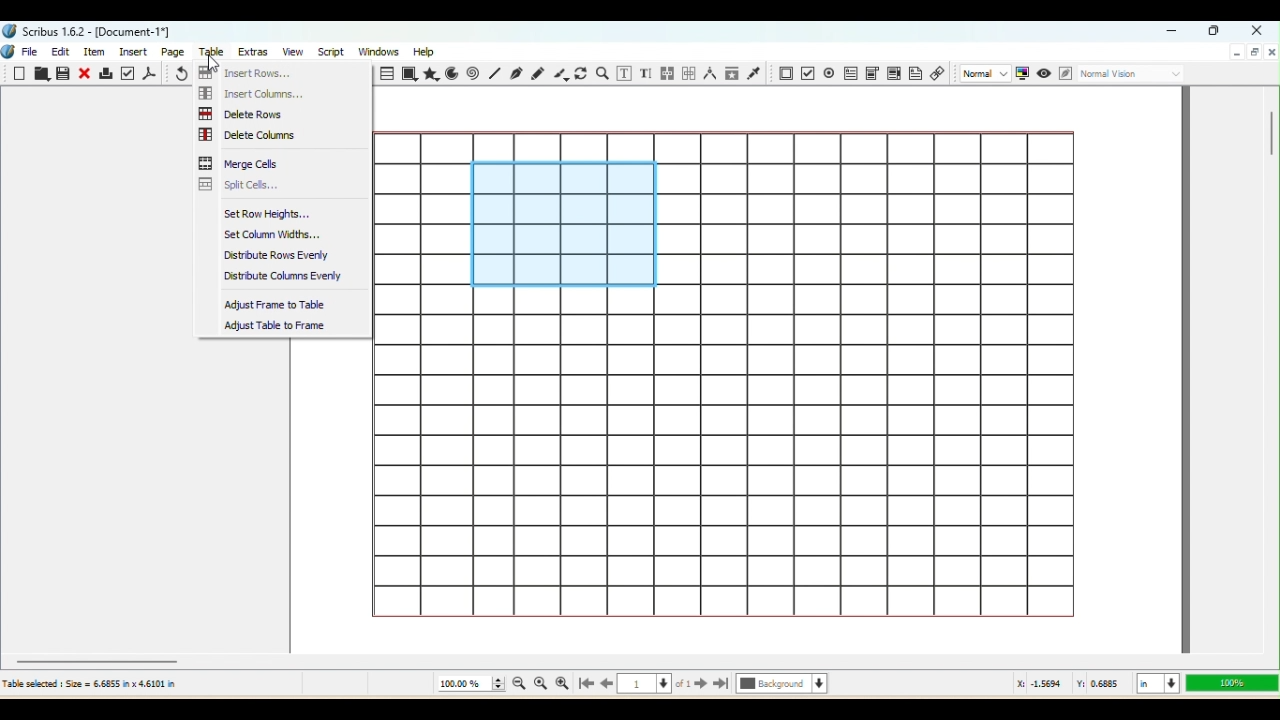  I want to click on Zoom level, so click(1230, 683).